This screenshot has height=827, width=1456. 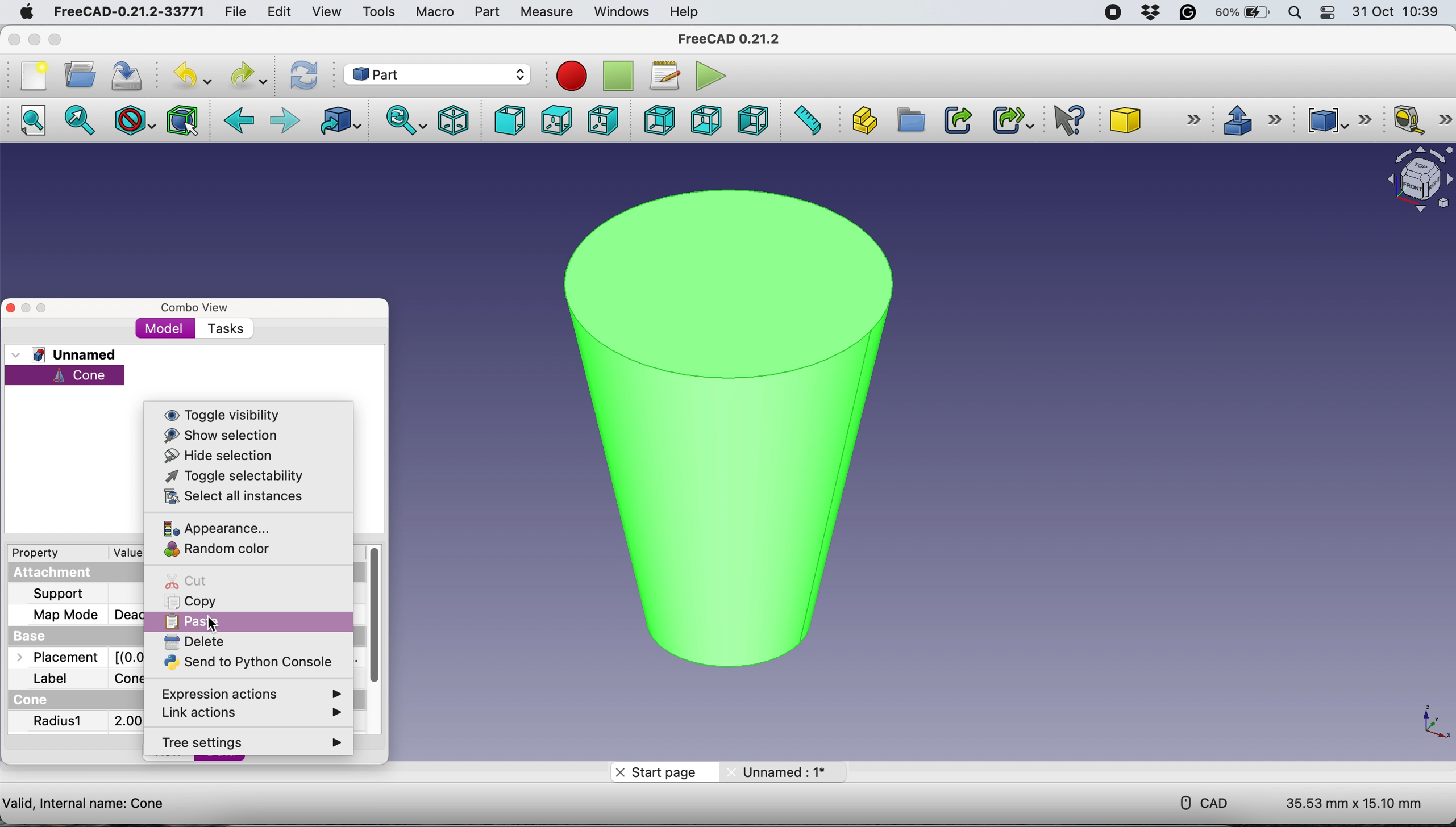 I want to click on windows, so click(x=619, y=11).